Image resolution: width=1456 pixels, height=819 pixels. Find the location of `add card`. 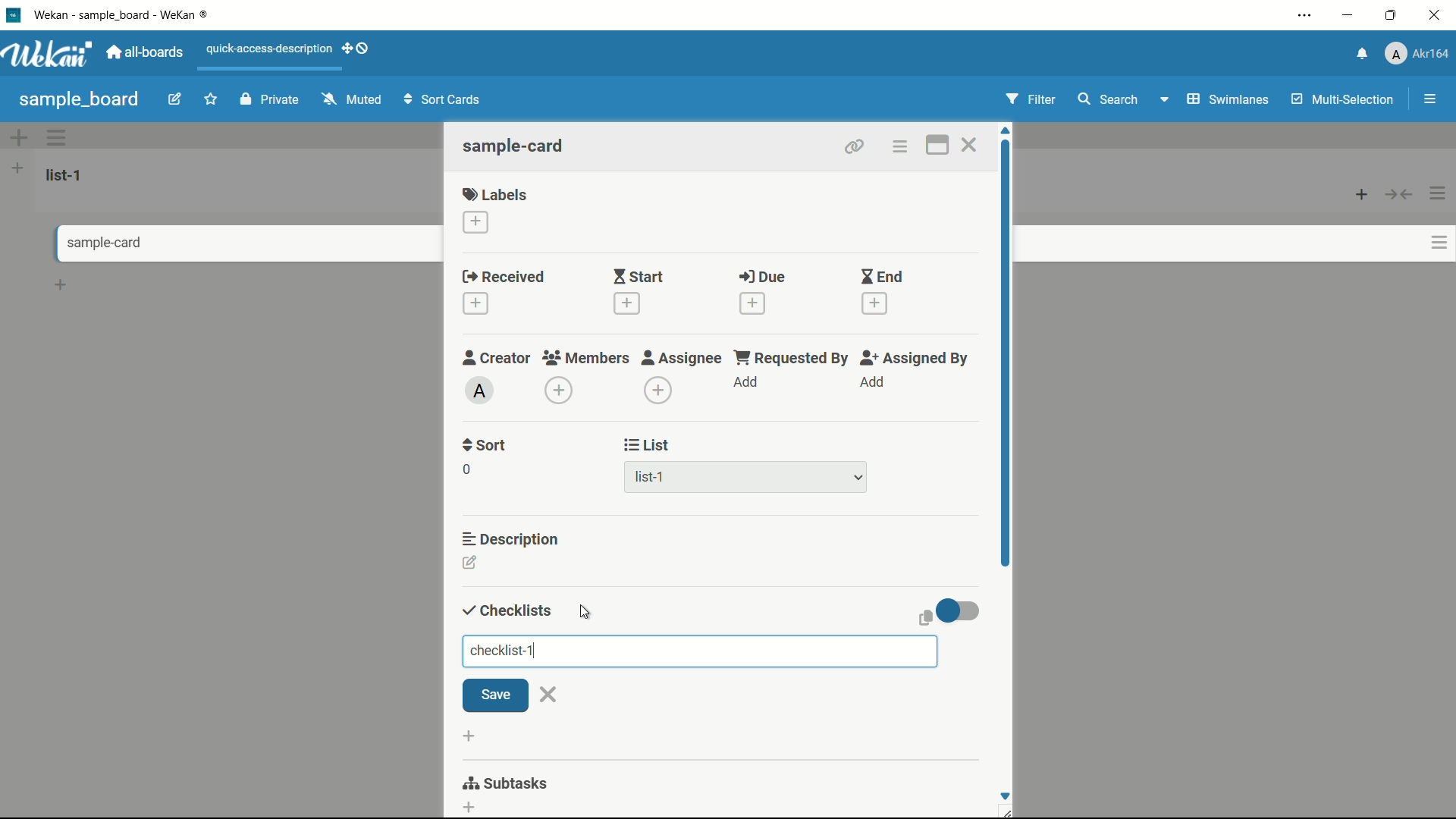

add card is located at coordinates (1362, 193).